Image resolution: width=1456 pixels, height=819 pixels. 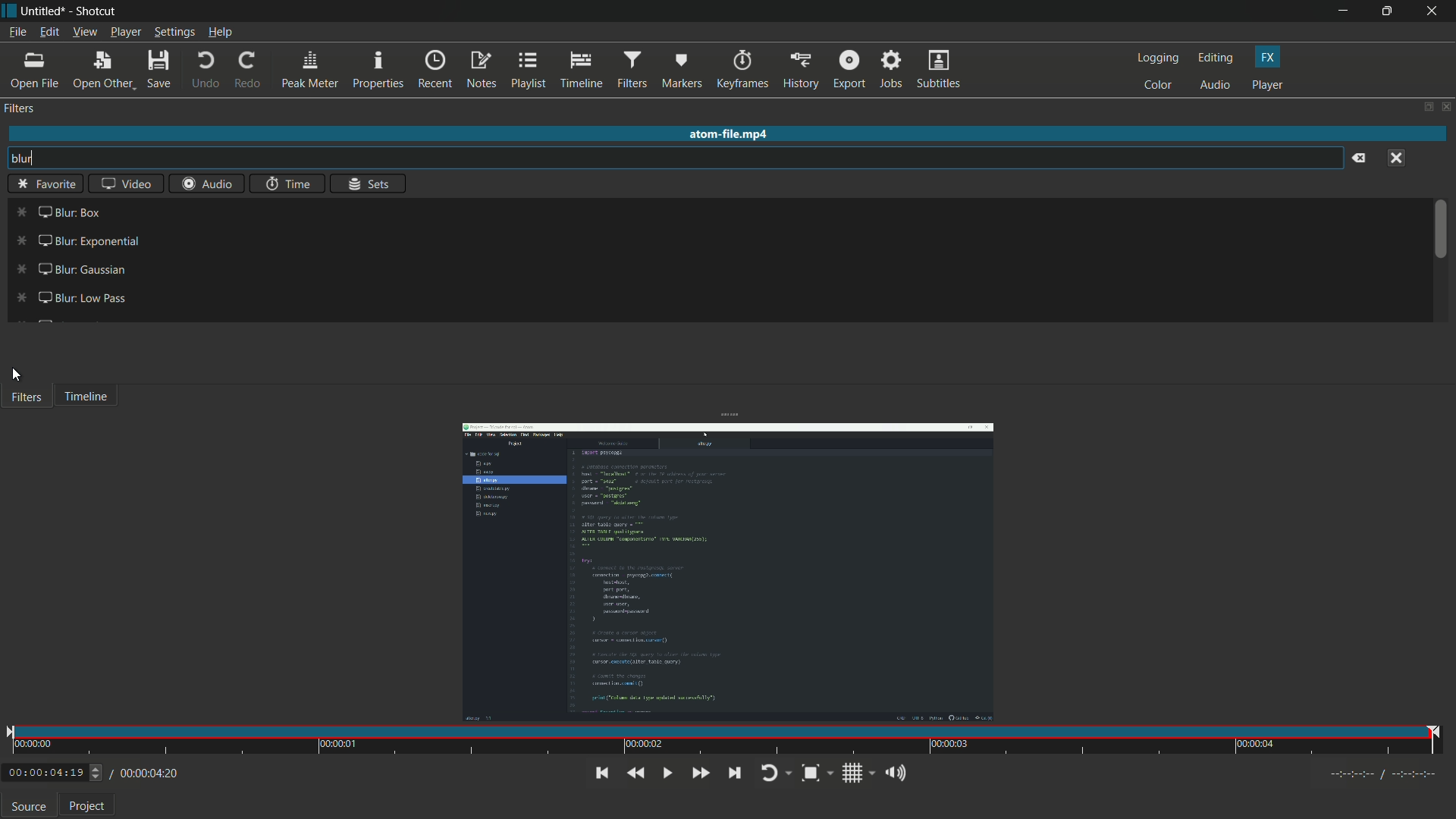 I want to click on markers, so click(x=680, y=73).